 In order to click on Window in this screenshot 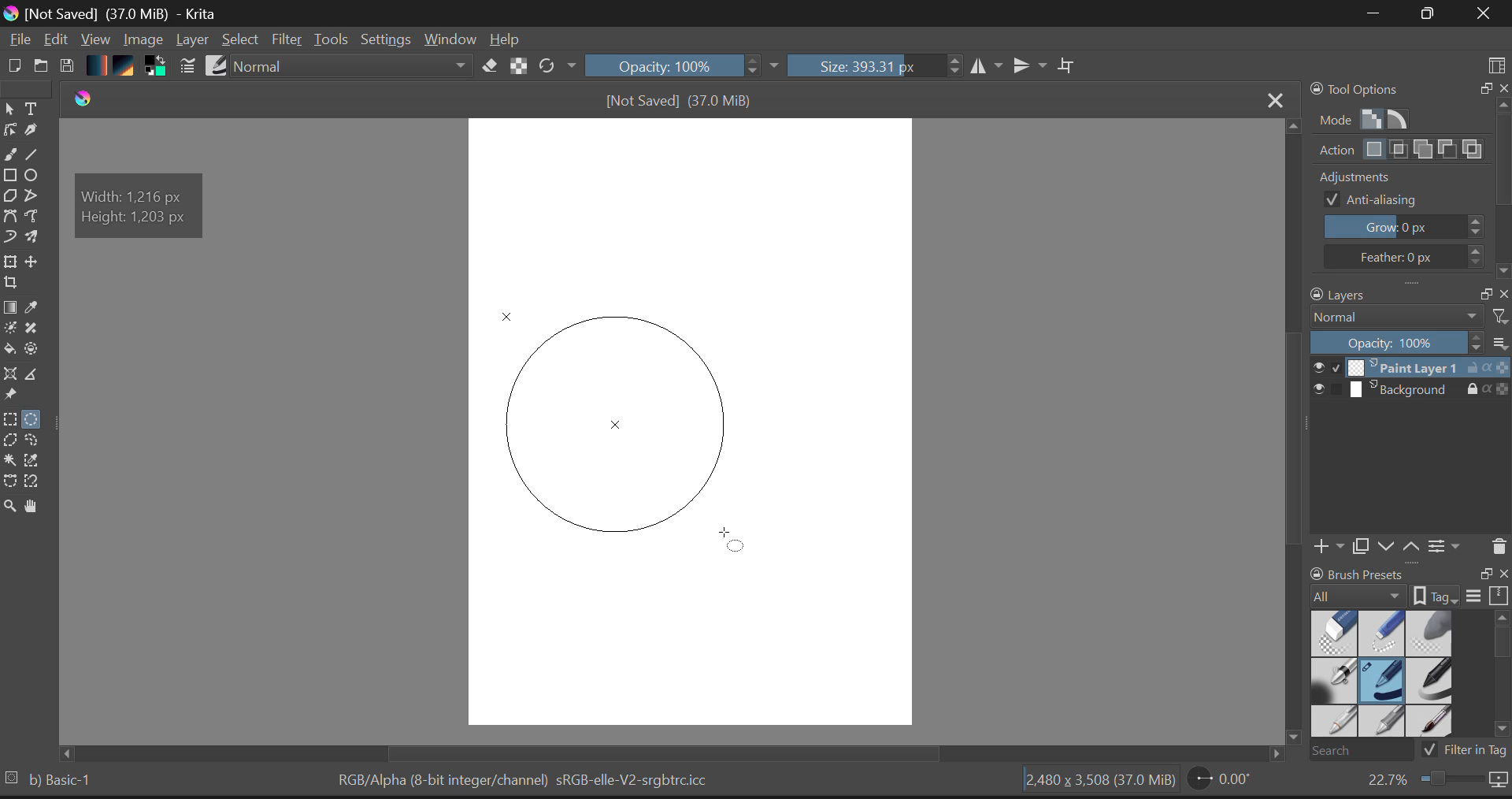, I will do `click(449, 39)`.